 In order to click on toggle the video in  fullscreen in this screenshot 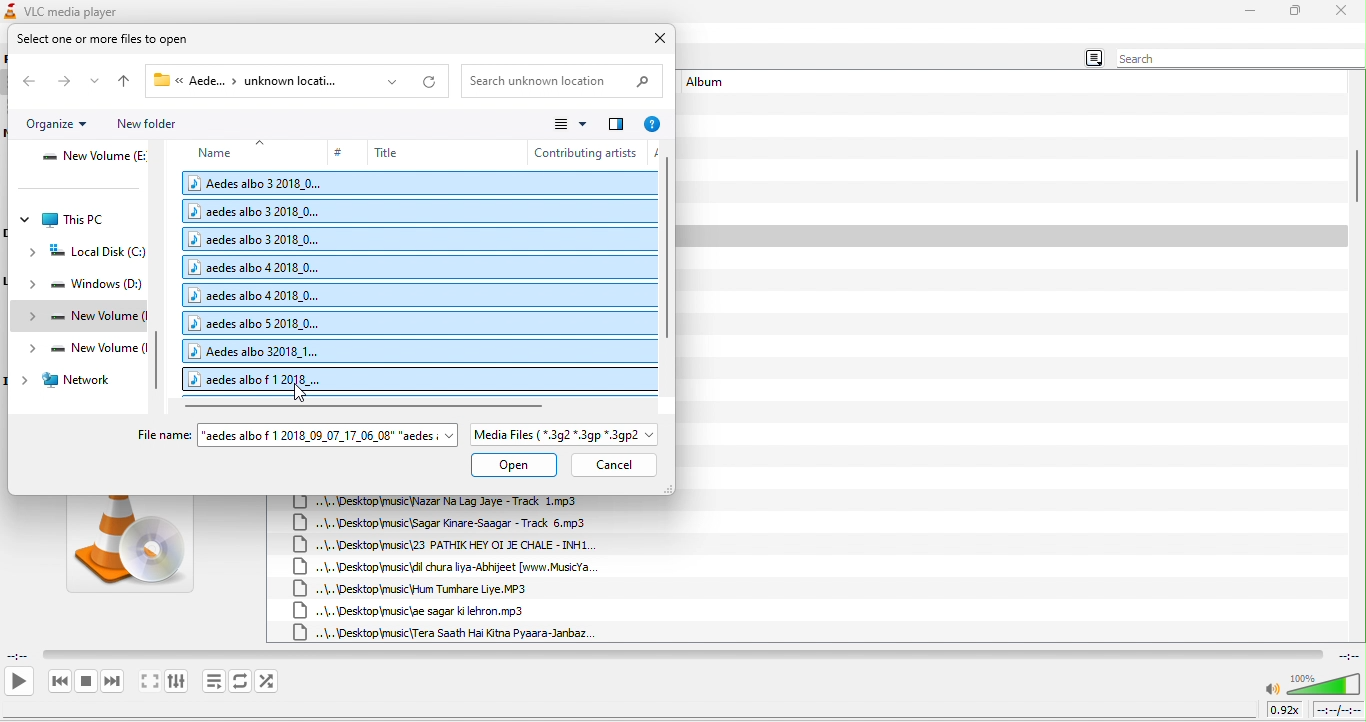, I will do `click(149, 683)`.